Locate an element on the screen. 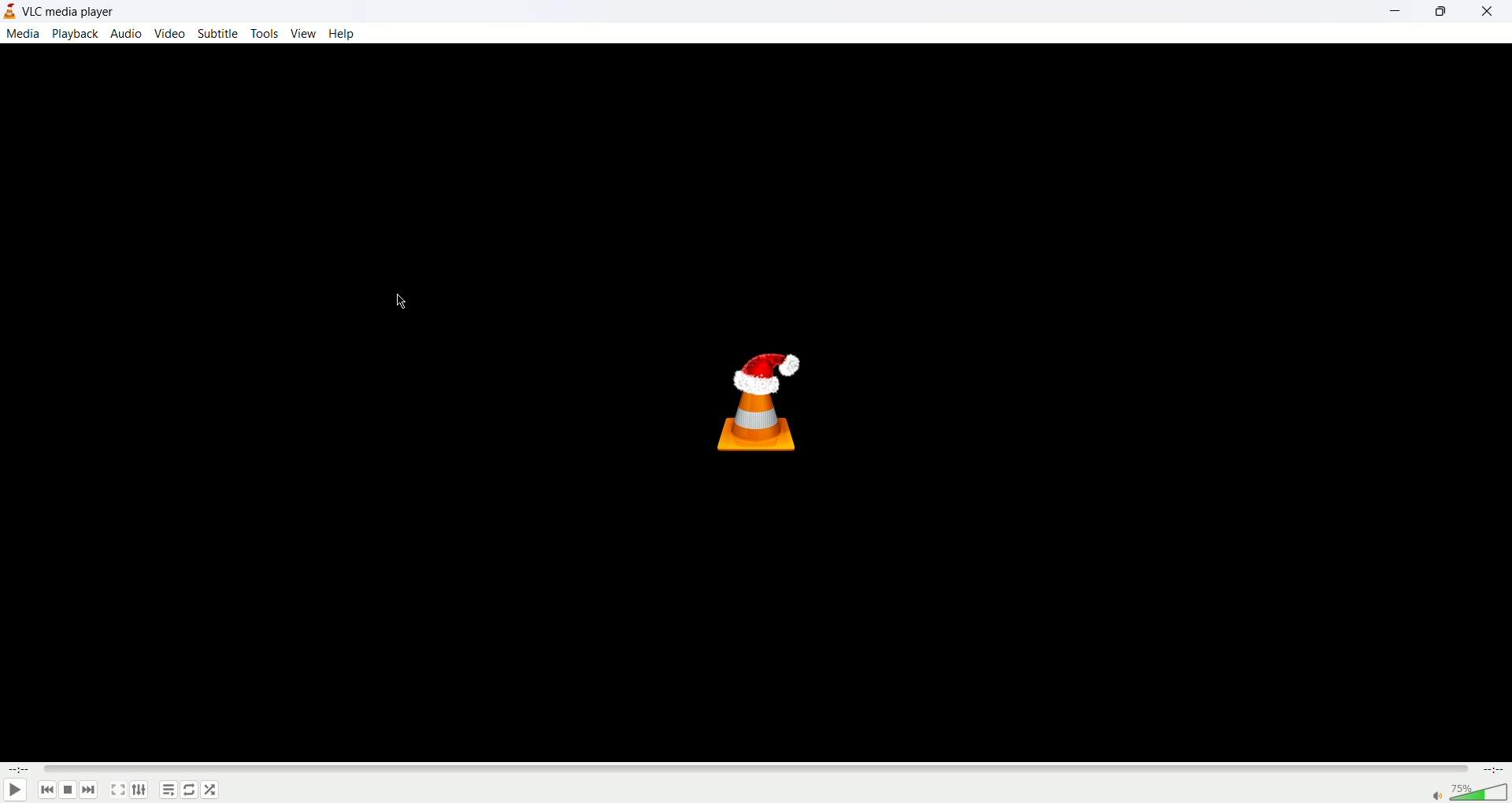 This screenshot has height=803, width=1512. cursor is located at coordinates (406, 303).